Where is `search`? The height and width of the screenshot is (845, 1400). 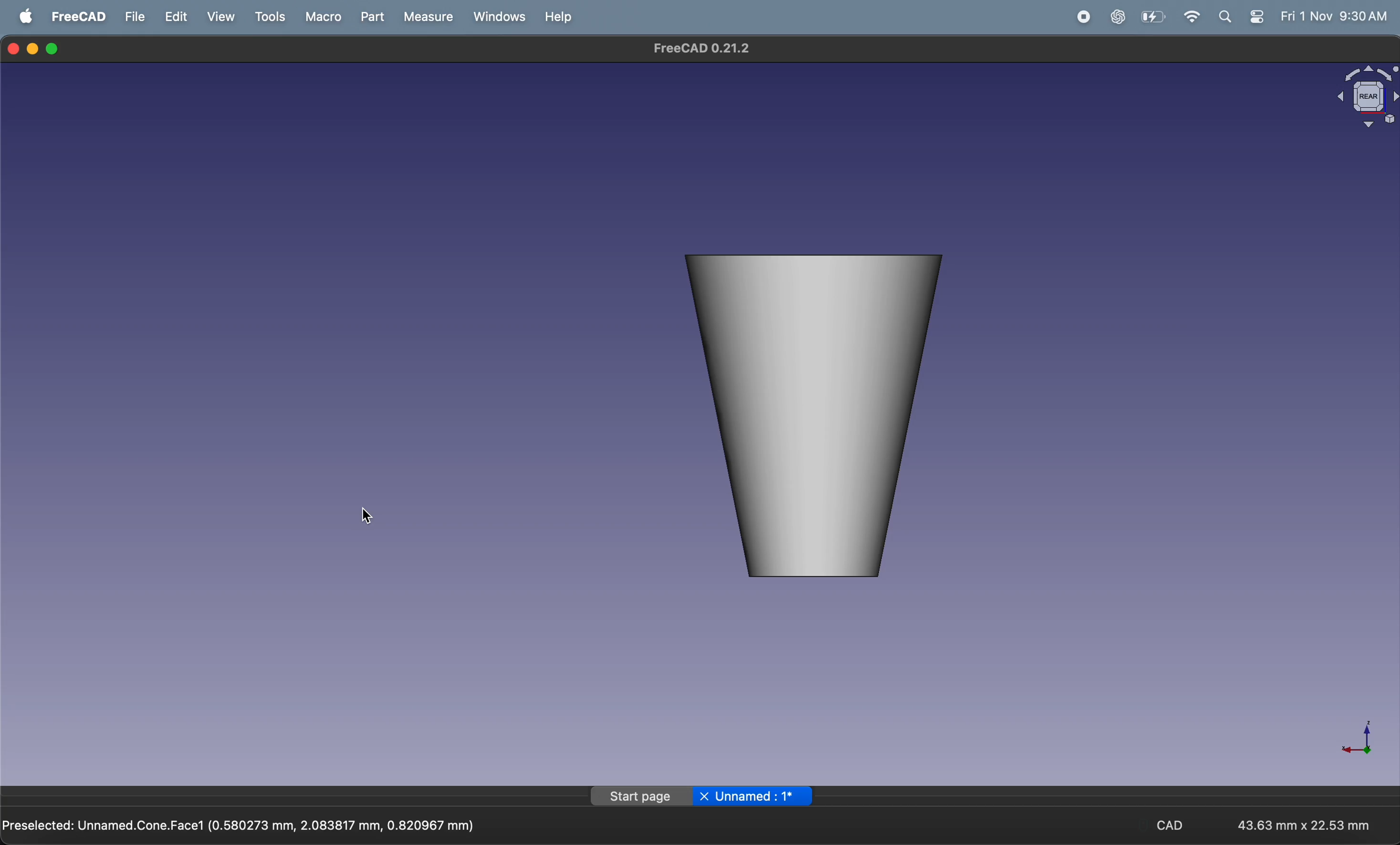 search is located at coordinates (1229, 16).